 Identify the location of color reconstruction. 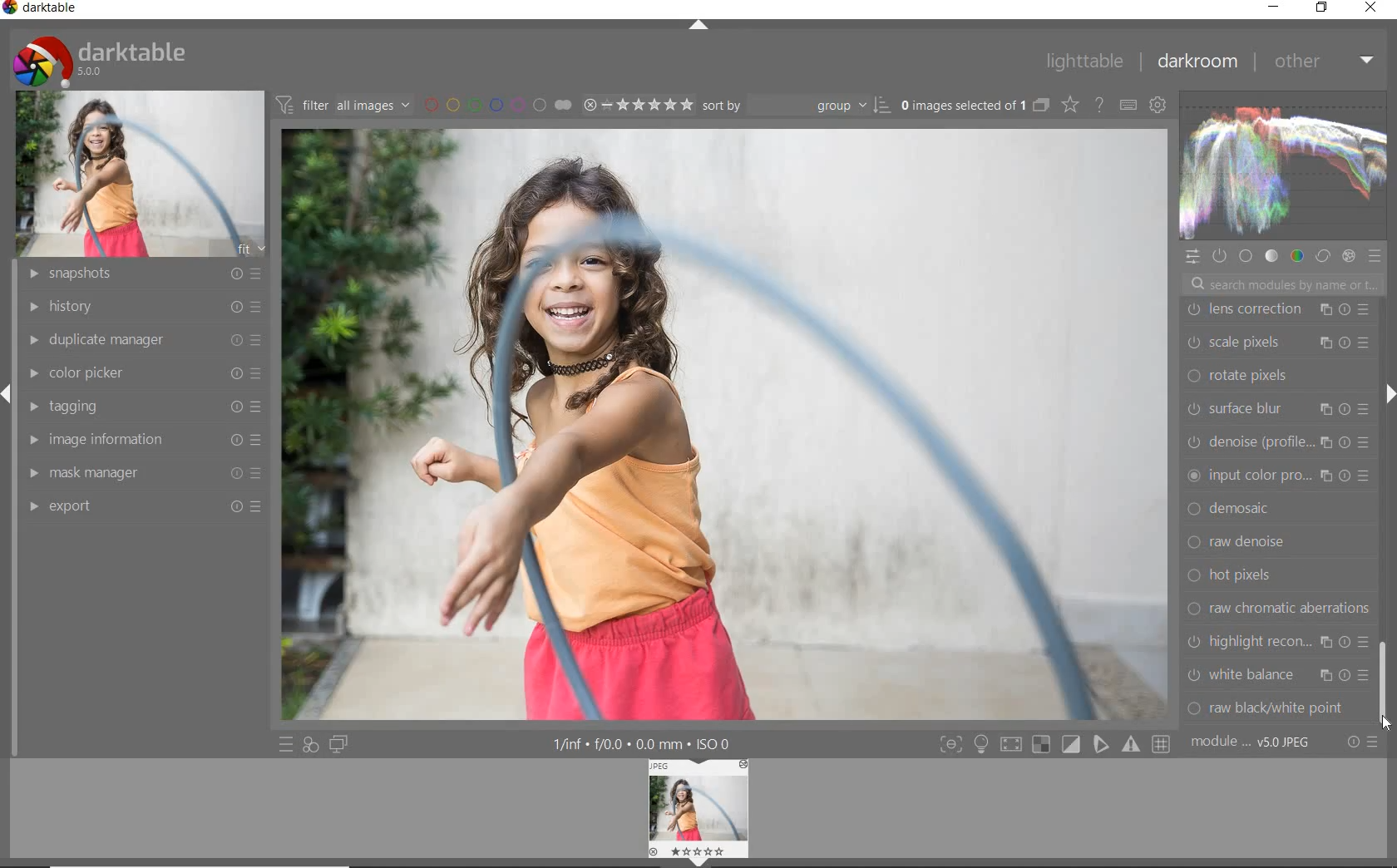
(1281, 446).